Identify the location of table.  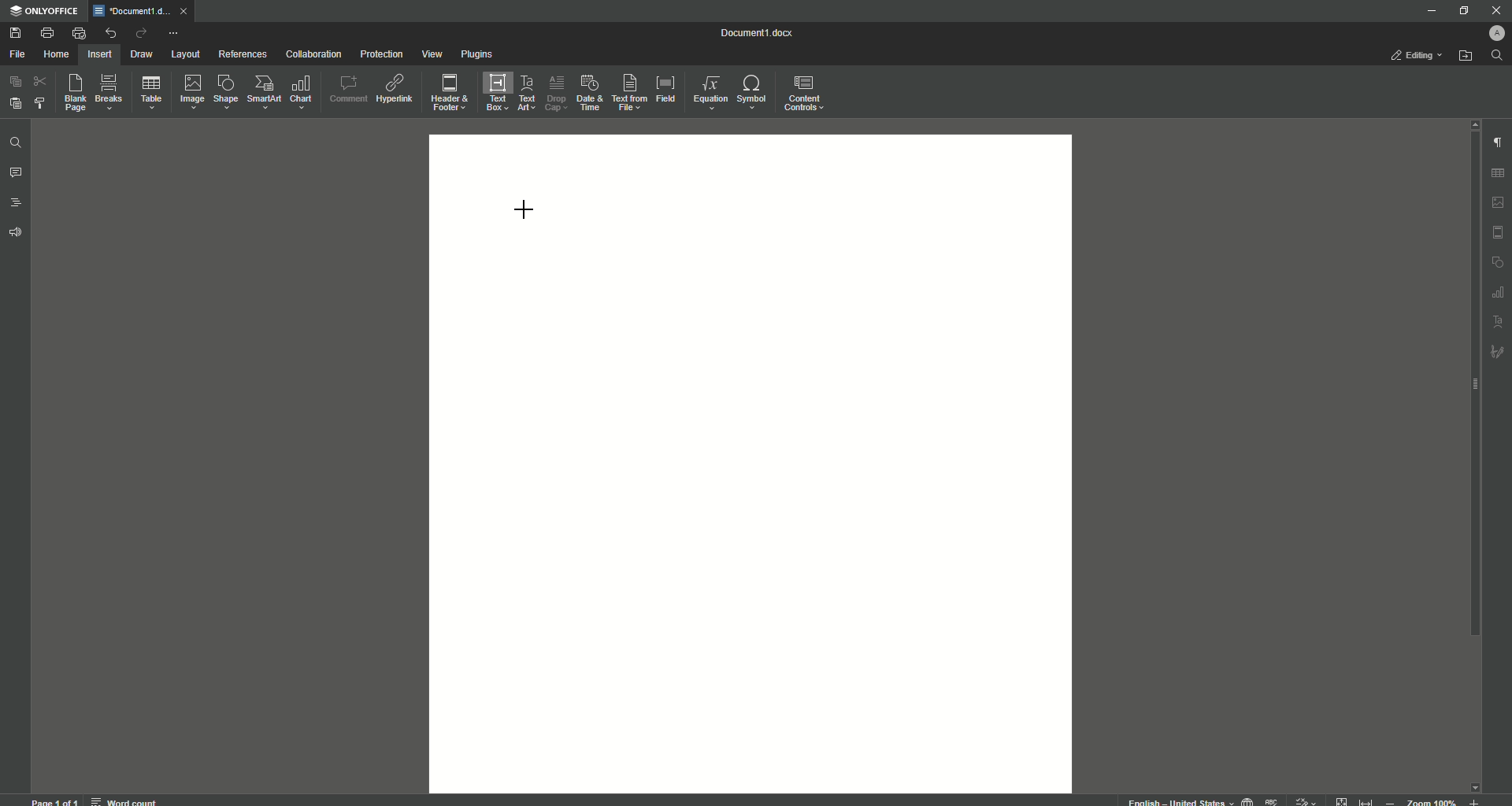
(1496, 293).